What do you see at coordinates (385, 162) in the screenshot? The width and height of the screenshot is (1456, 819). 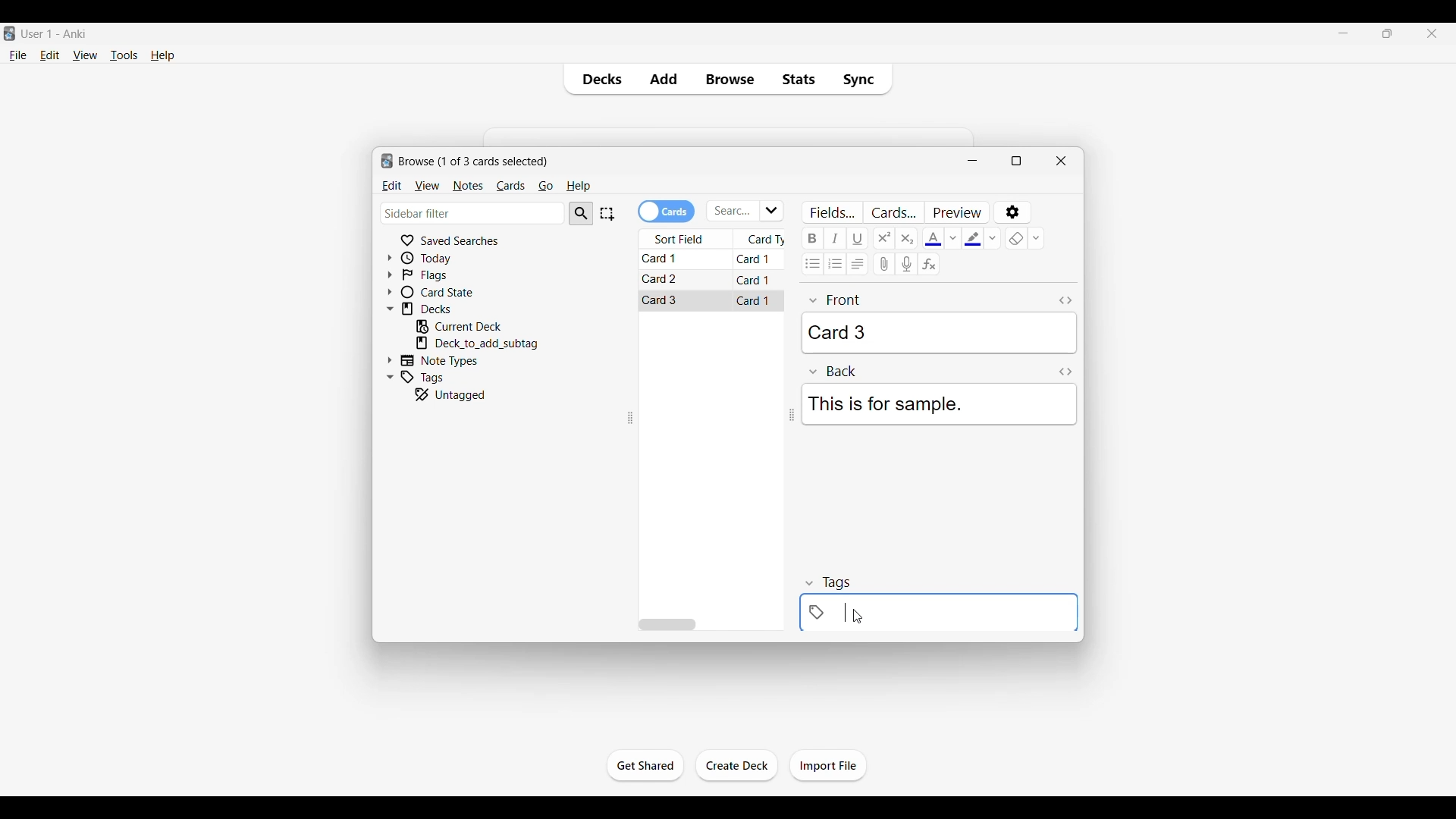 I see `logo` at bounding box center [385, 162].